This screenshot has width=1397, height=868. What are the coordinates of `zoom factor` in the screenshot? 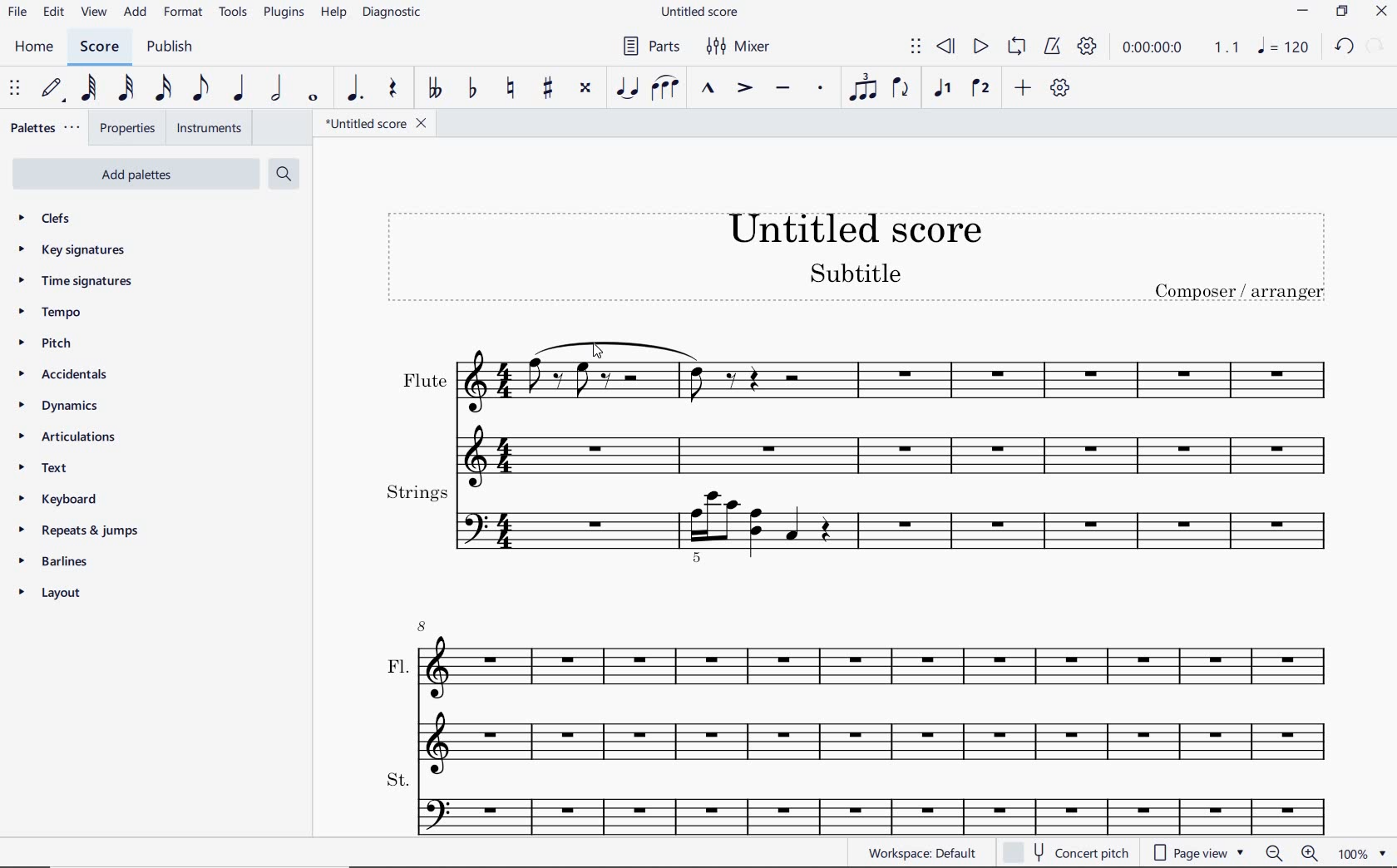 It's located at (1363, 855).